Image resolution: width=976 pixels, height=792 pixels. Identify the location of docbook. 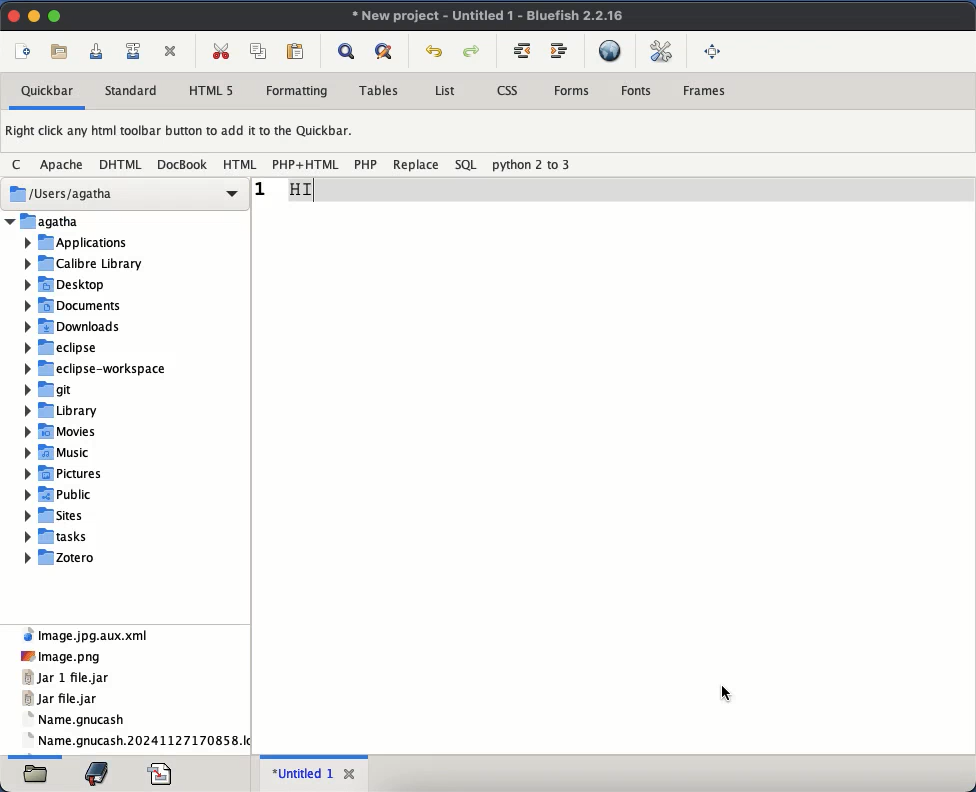
(182, 164).